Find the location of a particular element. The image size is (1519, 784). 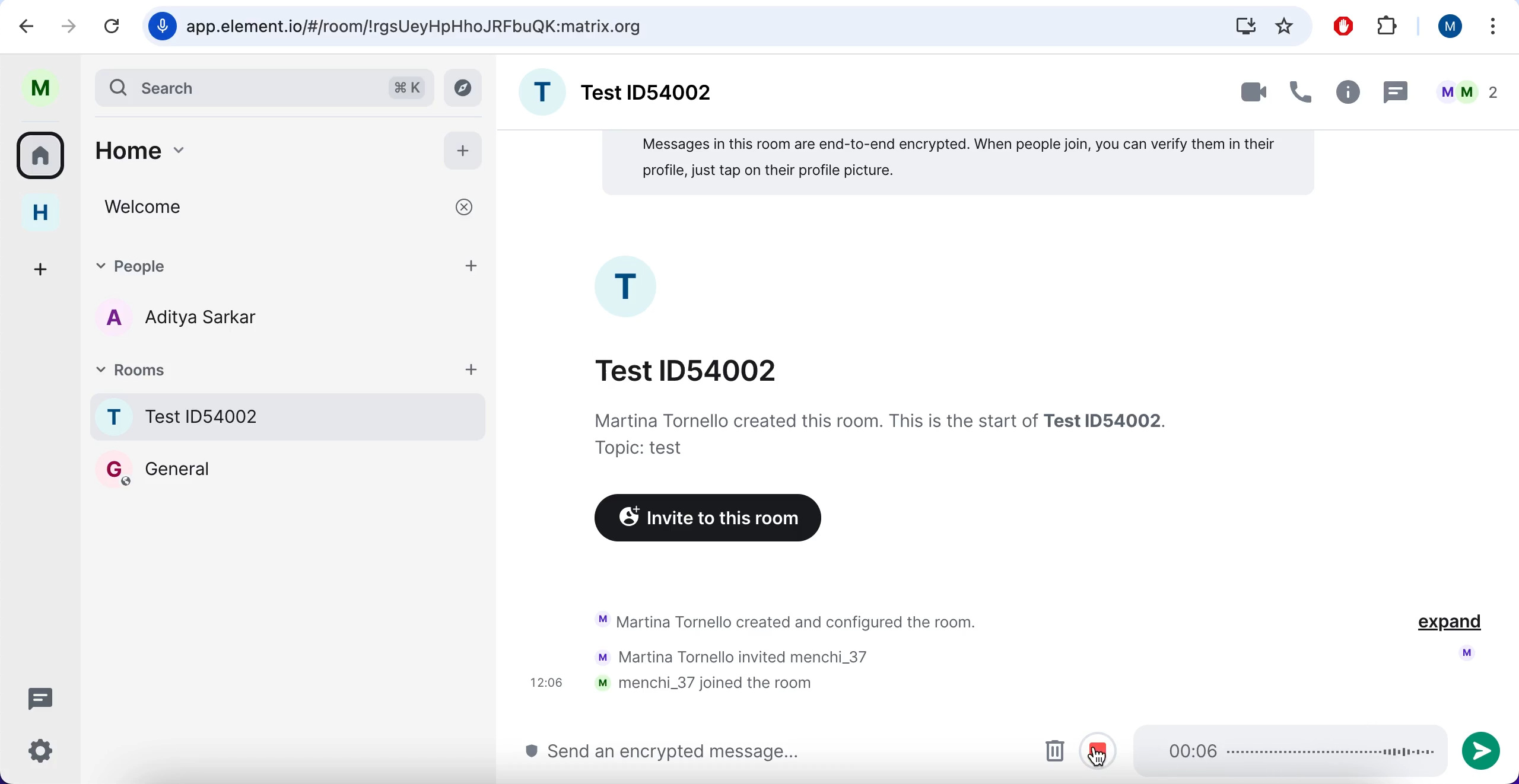

note is located at coordinates (958, 164).